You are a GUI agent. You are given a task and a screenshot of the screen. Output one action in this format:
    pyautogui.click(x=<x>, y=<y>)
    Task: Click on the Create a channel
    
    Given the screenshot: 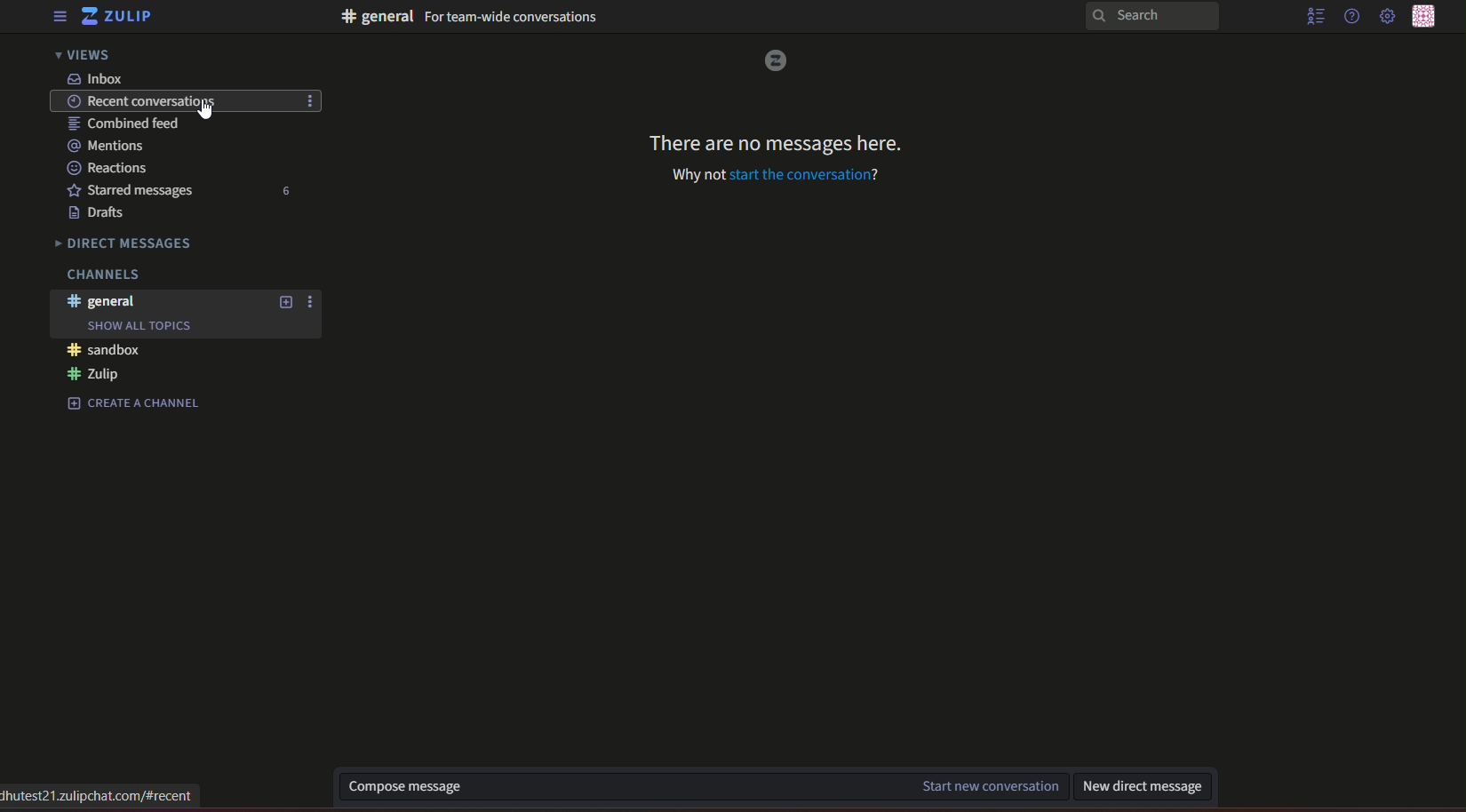 What is the action you would take?
    pyautogui.click(x=136, y=403)
    